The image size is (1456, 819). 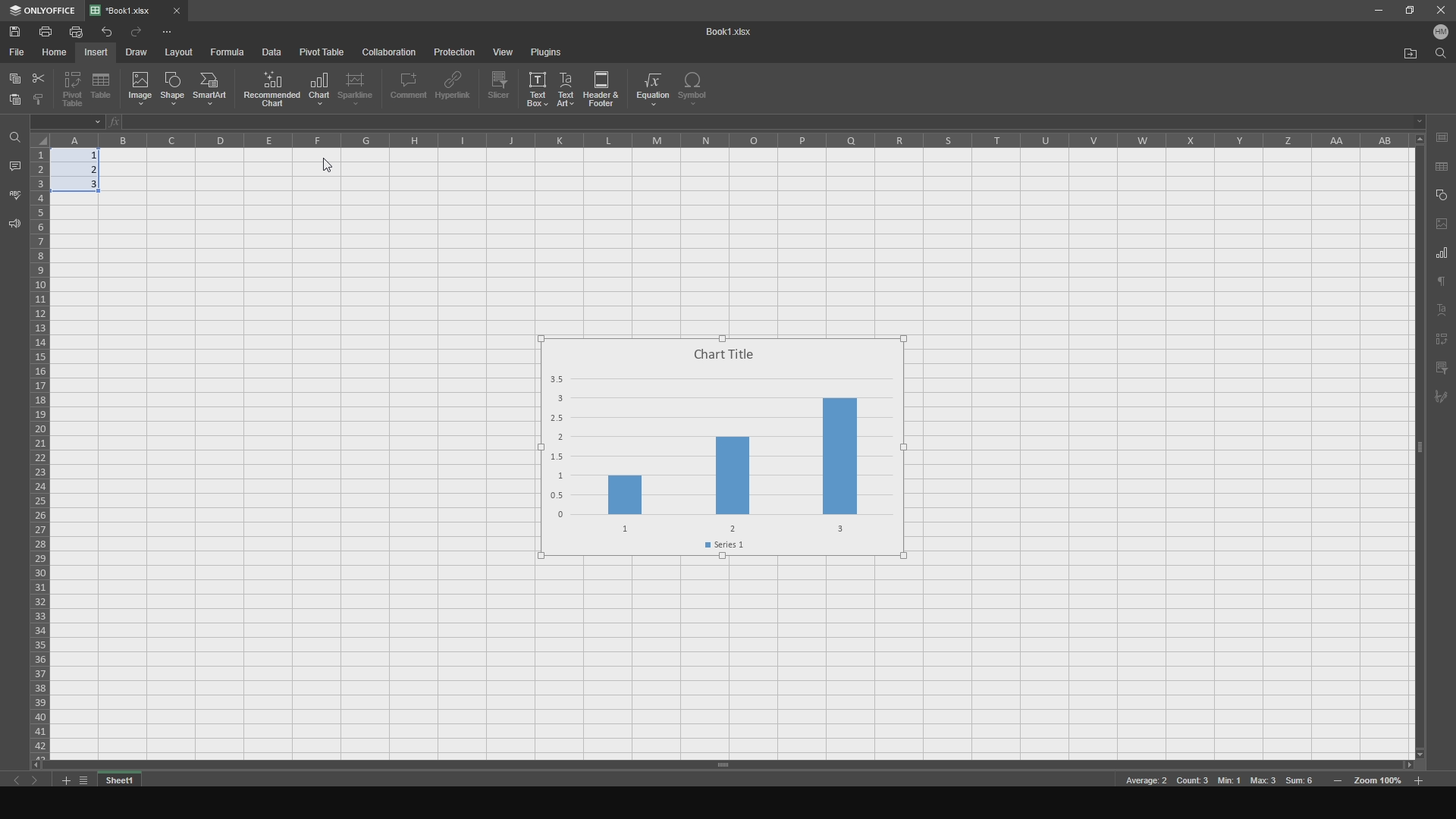 I want to click on layout, so click(x=181, y=52).